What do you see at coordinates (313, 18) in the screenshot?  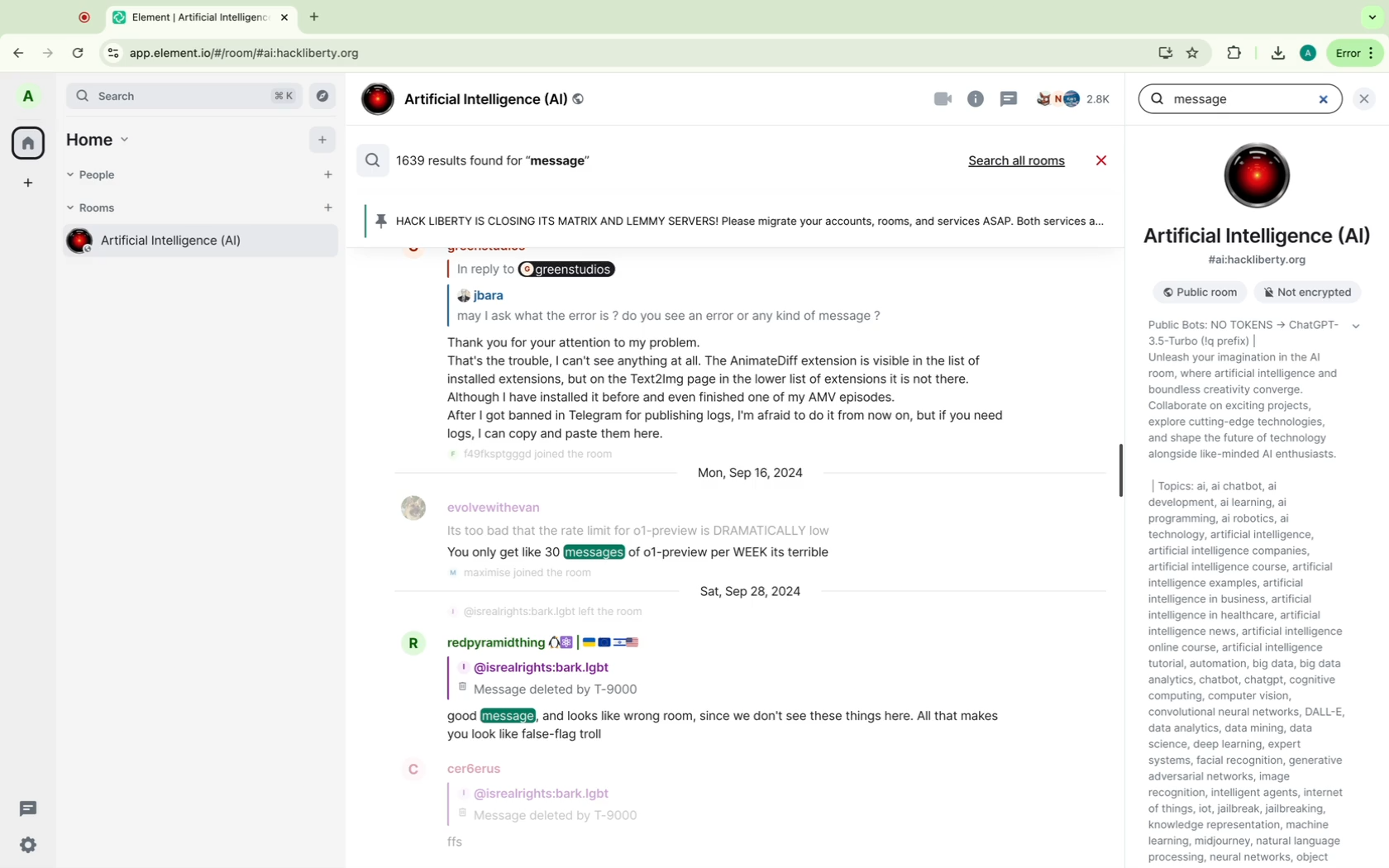 I see `new tab` at bounding box center [313, 18].